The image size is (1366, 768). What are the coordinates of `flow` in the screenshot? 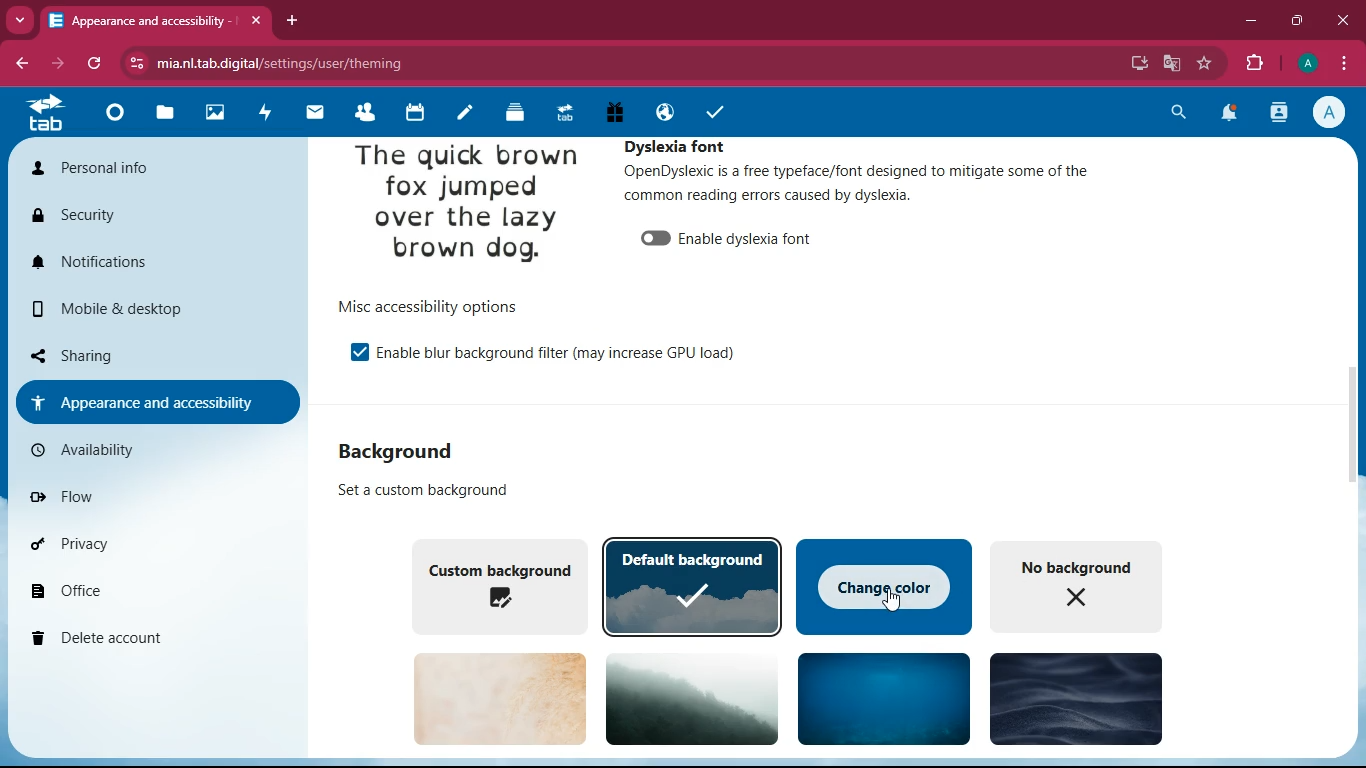 It's located at (120, 493).